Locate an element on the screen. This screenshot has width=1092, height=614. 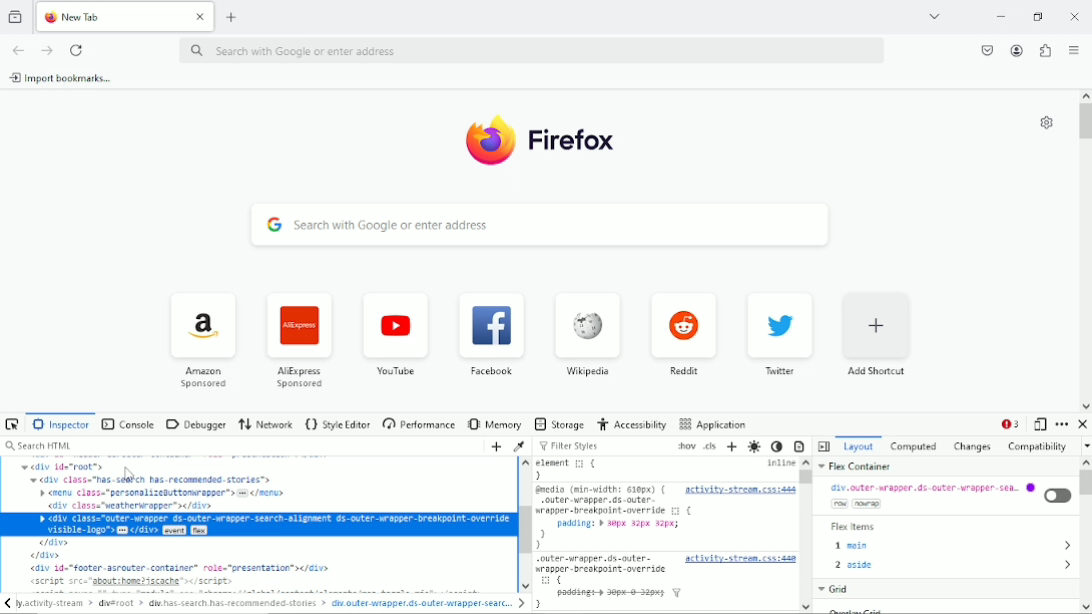
Filter styles is located at coordinates (569, 446).